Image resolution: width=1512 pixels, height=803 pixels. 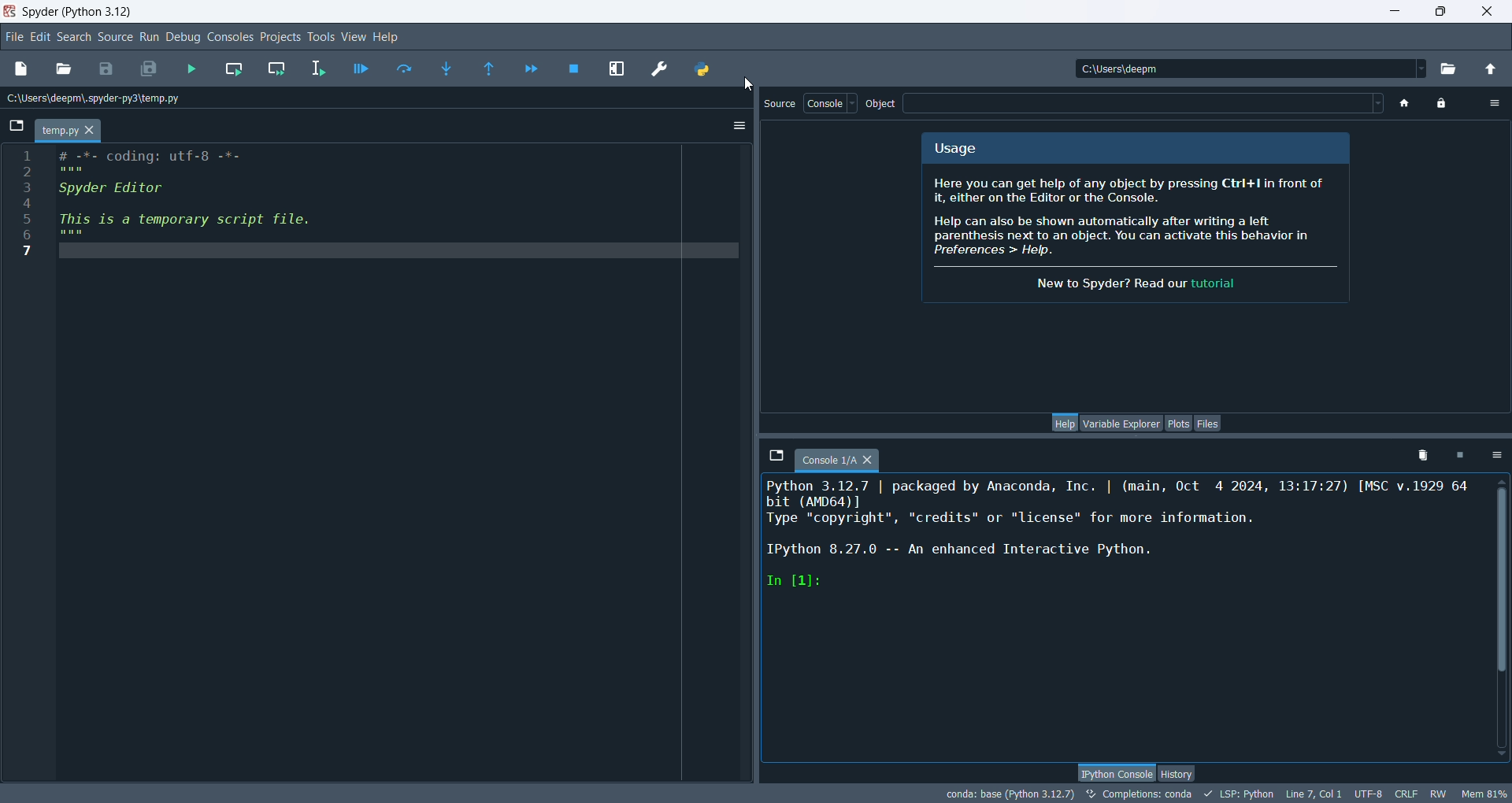 What do you see at coordinates (616, 69) in the screenshot?
I see `maximize current pane` at bounding box center [616, 69].